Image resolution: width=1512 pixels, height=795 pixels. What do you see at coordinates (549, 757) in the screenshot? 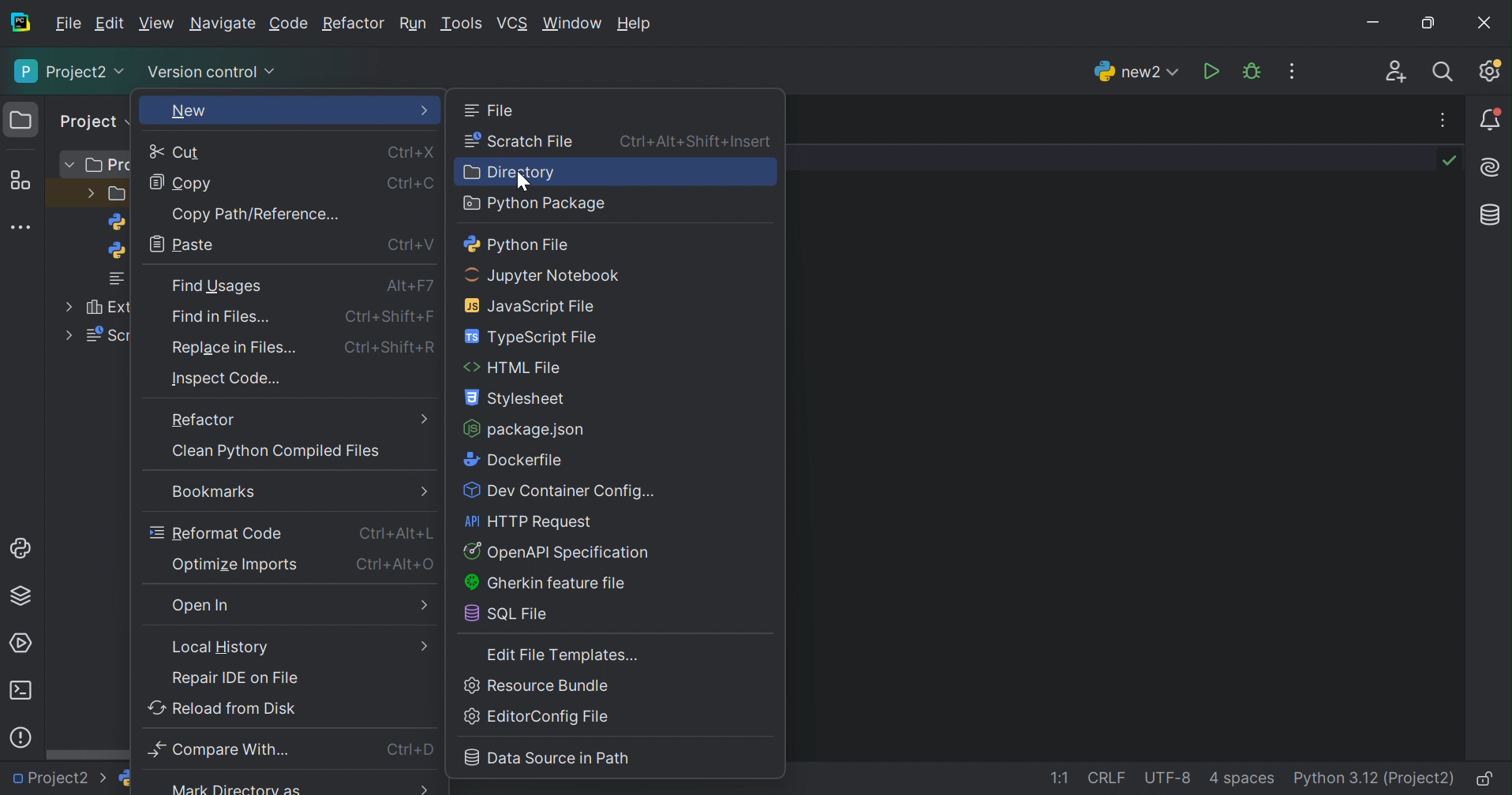
I see `Data source in path` at bounding box center [549, 757].